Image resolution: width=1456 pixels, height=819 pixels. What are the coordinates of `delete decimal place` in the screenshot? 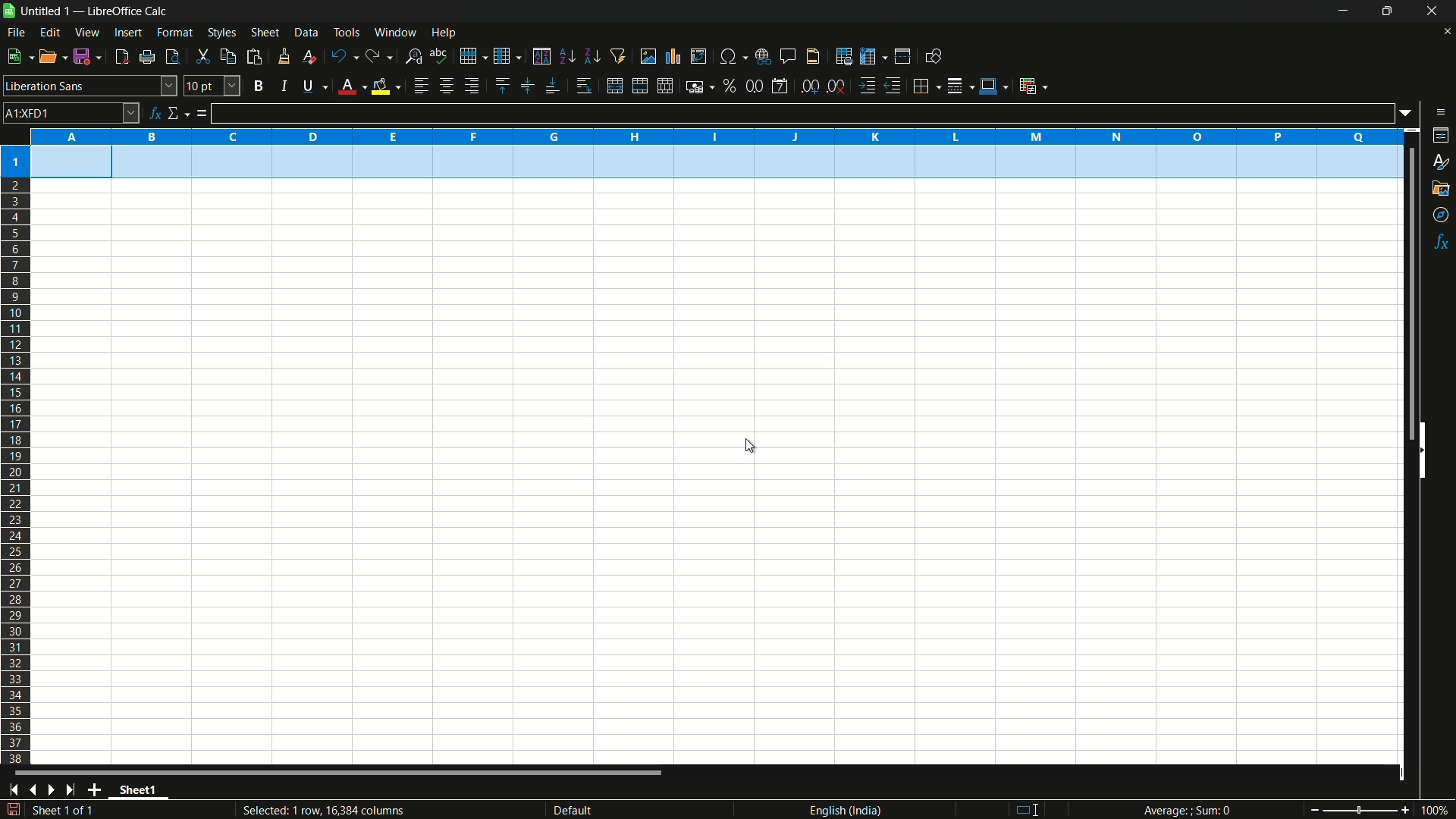 It's located at (837, 86).